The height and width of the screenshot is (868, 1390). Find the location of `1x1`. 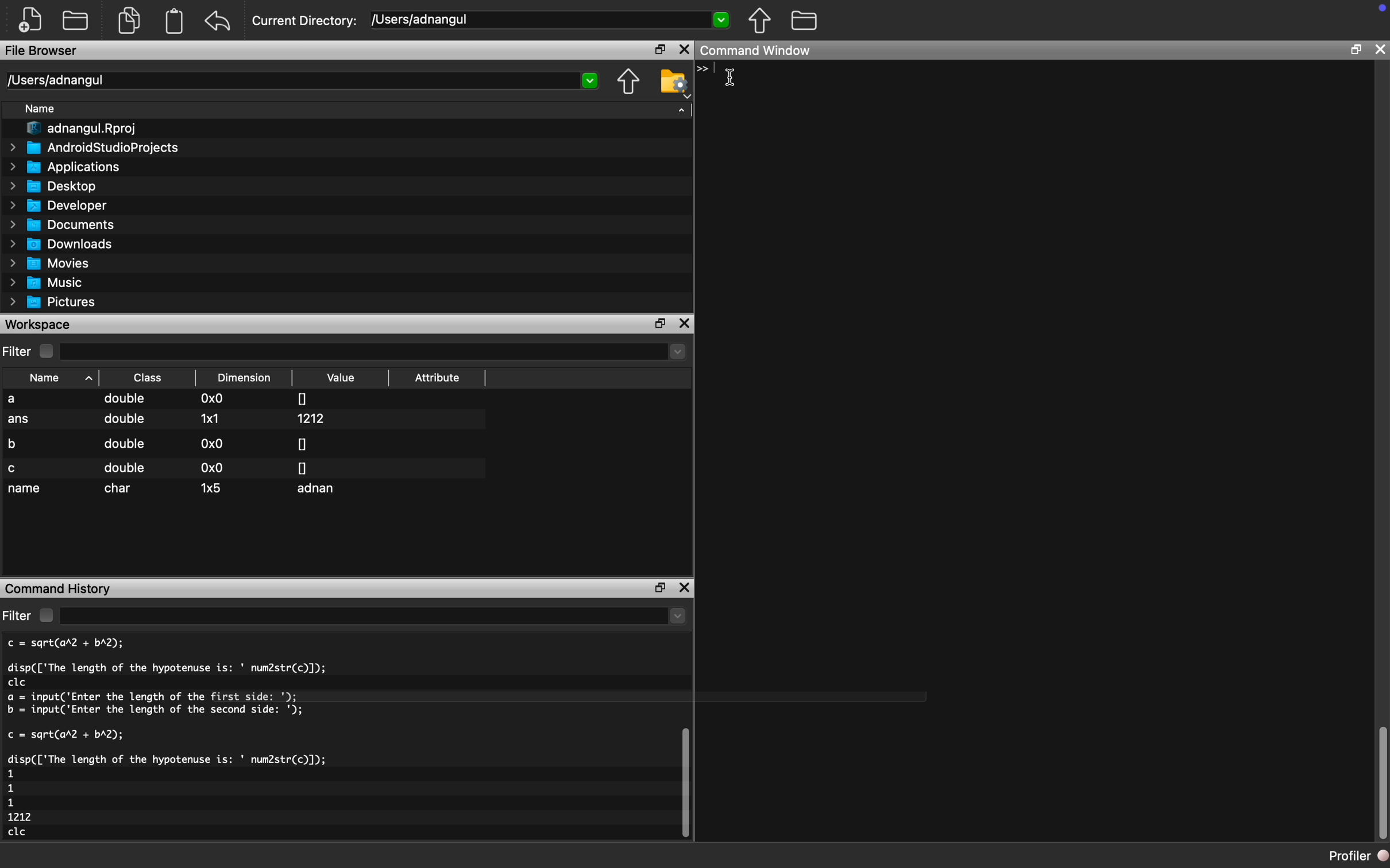

1x1 is located at coordinates (210, 418).